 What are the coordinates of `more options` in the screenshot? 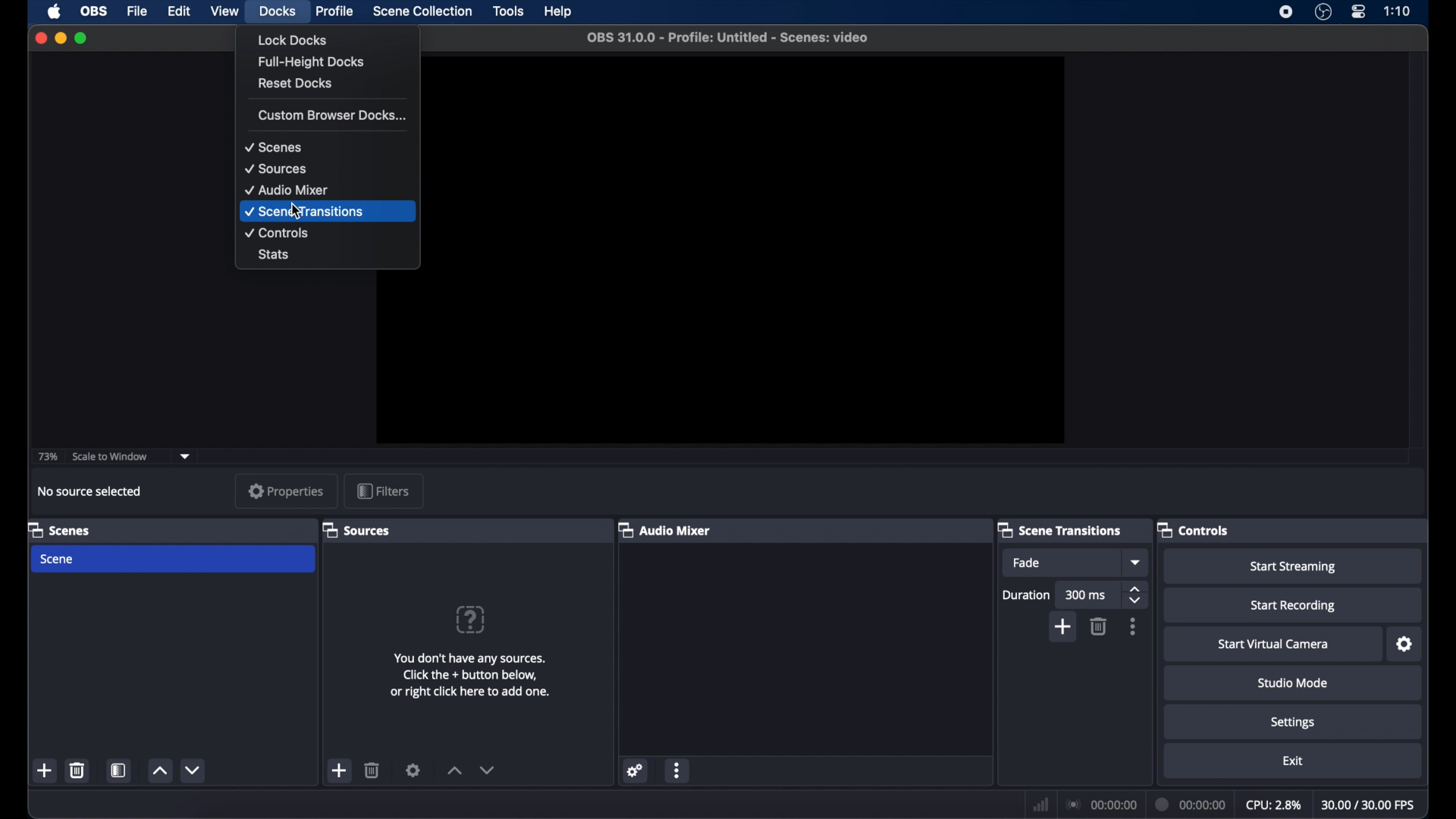 It's located at (678, 770).